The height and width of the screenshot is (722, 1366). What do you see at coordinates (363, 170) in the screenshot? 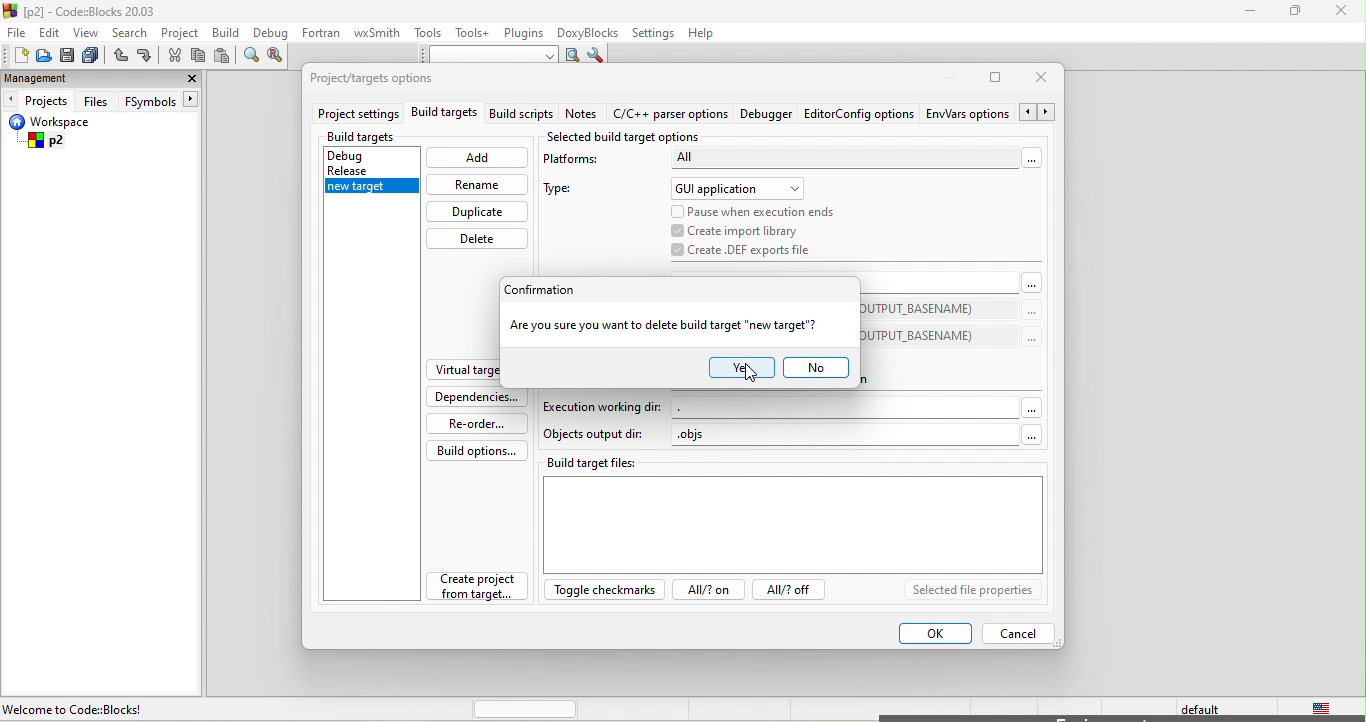
I see `release` at bounding box center [363, 170].